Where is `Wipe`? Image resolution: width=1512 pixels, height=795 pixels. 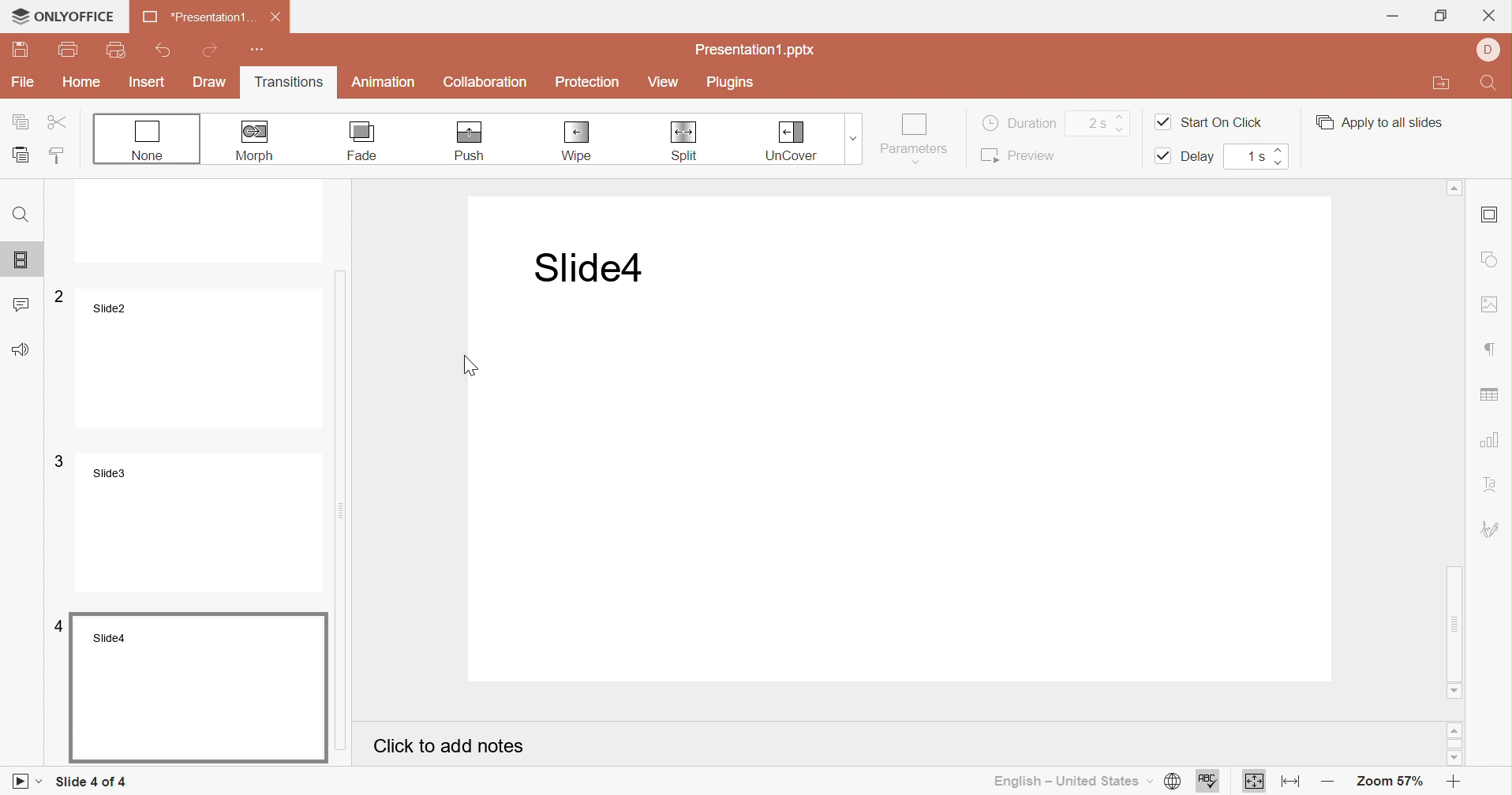 Wipe is located at coordinates (579, 142).